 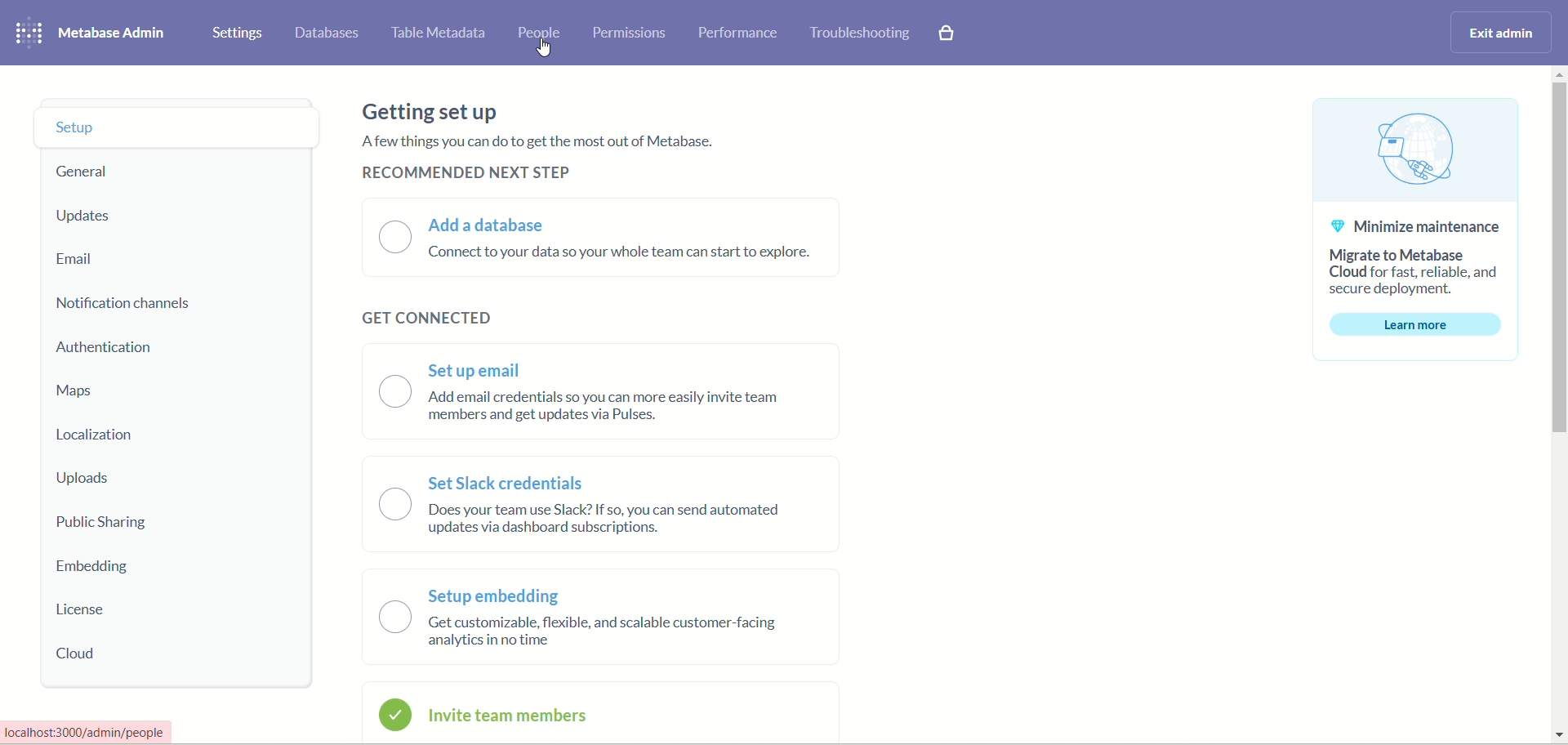 What do you see at coordinates (862, 32) in the screenshot?
I see `troubleshooting` at bounding box center [862, 32].